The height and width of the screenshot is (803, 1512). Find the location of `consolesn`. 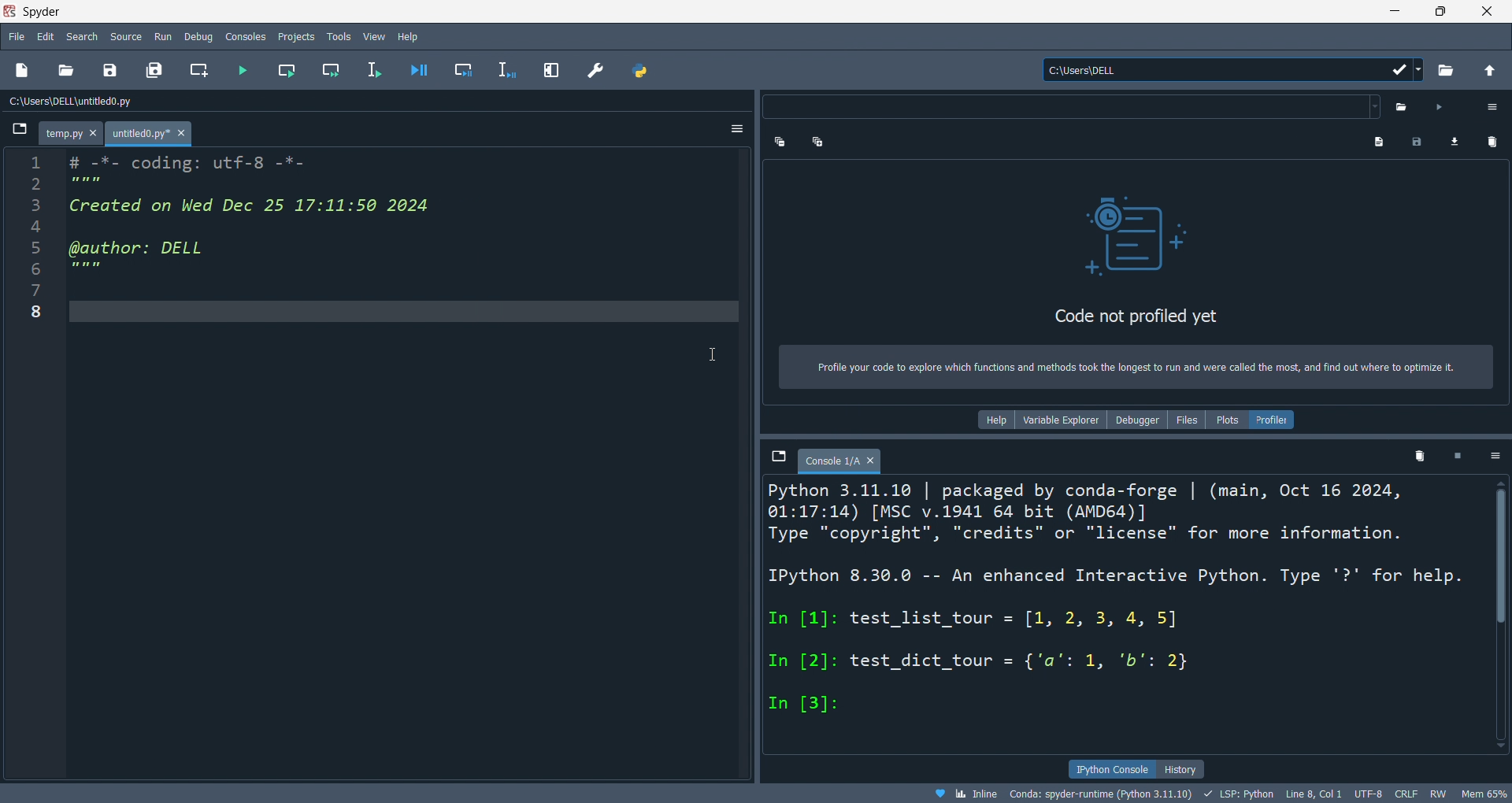

consolesn is located at coordinates (243, 37).